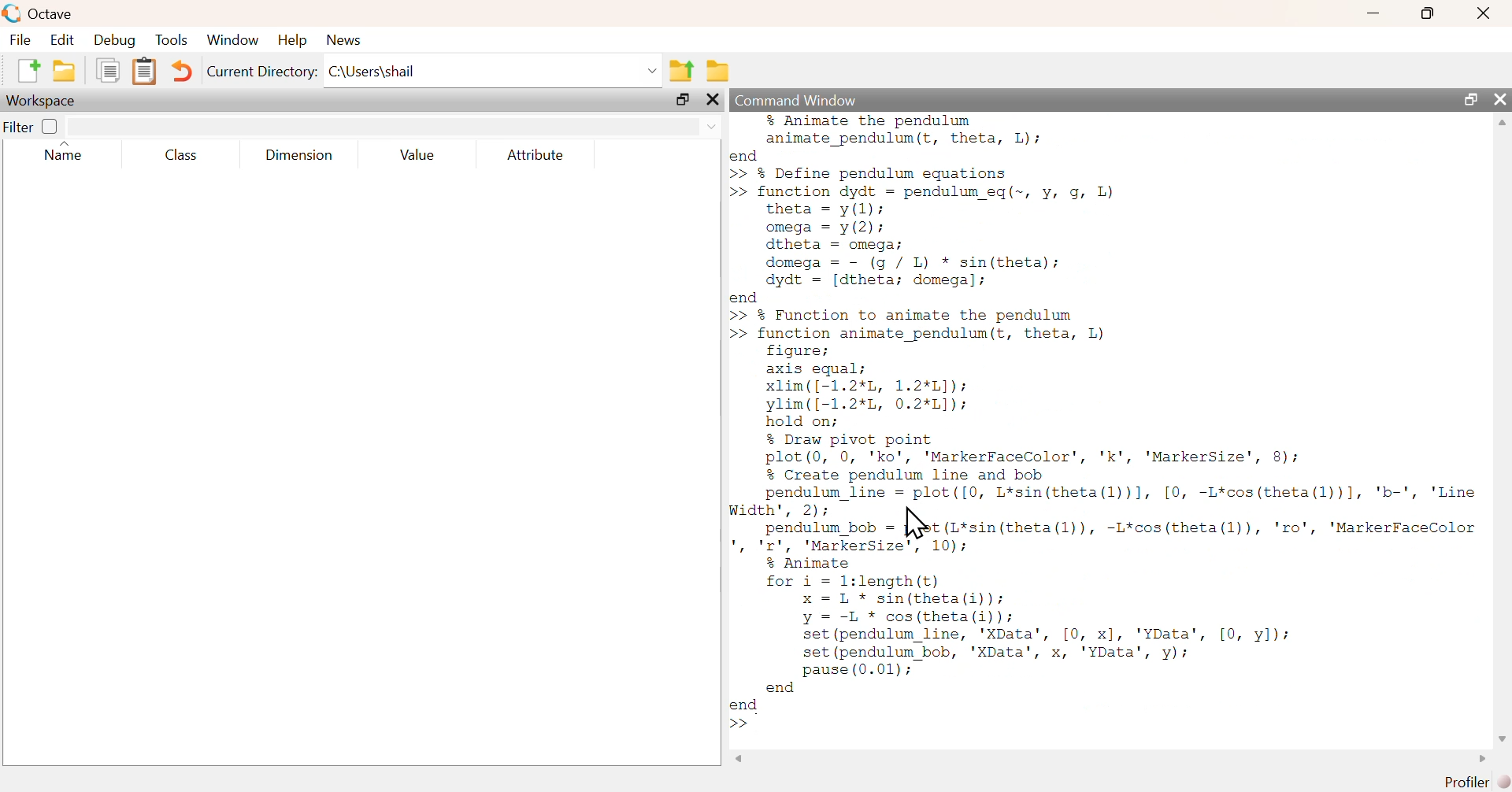 Image resolution: width=1512 pixels, height=792 pixels. What do you see at coordinates (806, 99) in the screenshot?
I see `Command Window` at bounding box center [806, 99].